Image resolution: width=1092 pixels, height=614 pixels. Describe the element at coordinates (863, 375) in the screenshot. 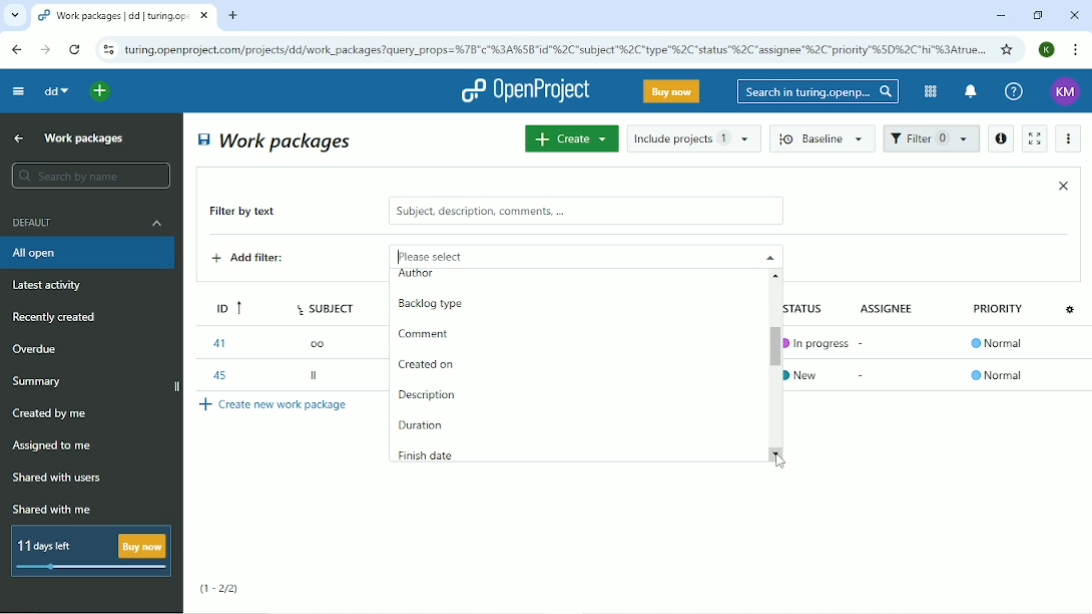

I see `-` at that location.